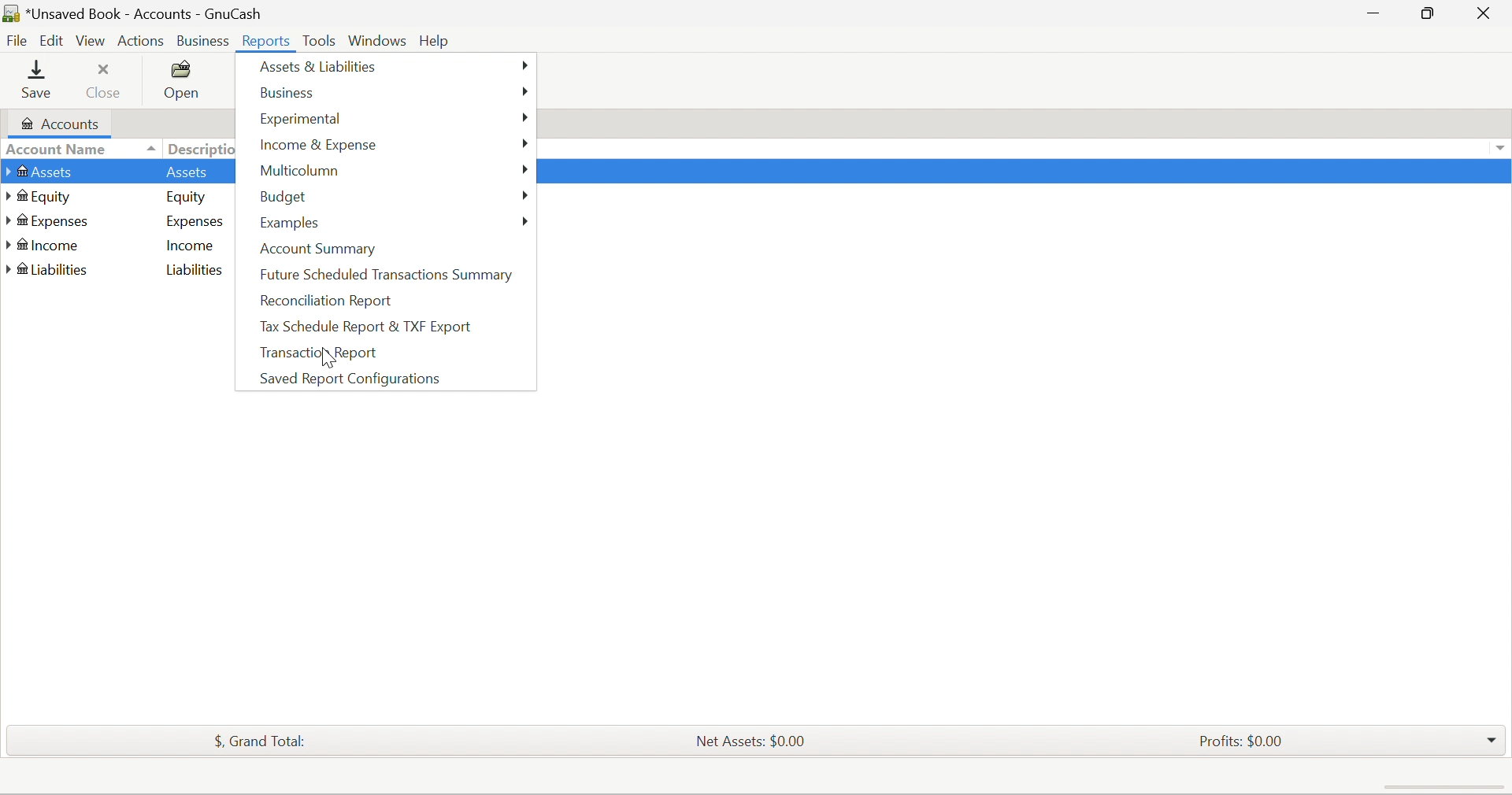 The width and height of the screenshot is (1512, 795). I want to click on Liabilities, so click(50, 270).